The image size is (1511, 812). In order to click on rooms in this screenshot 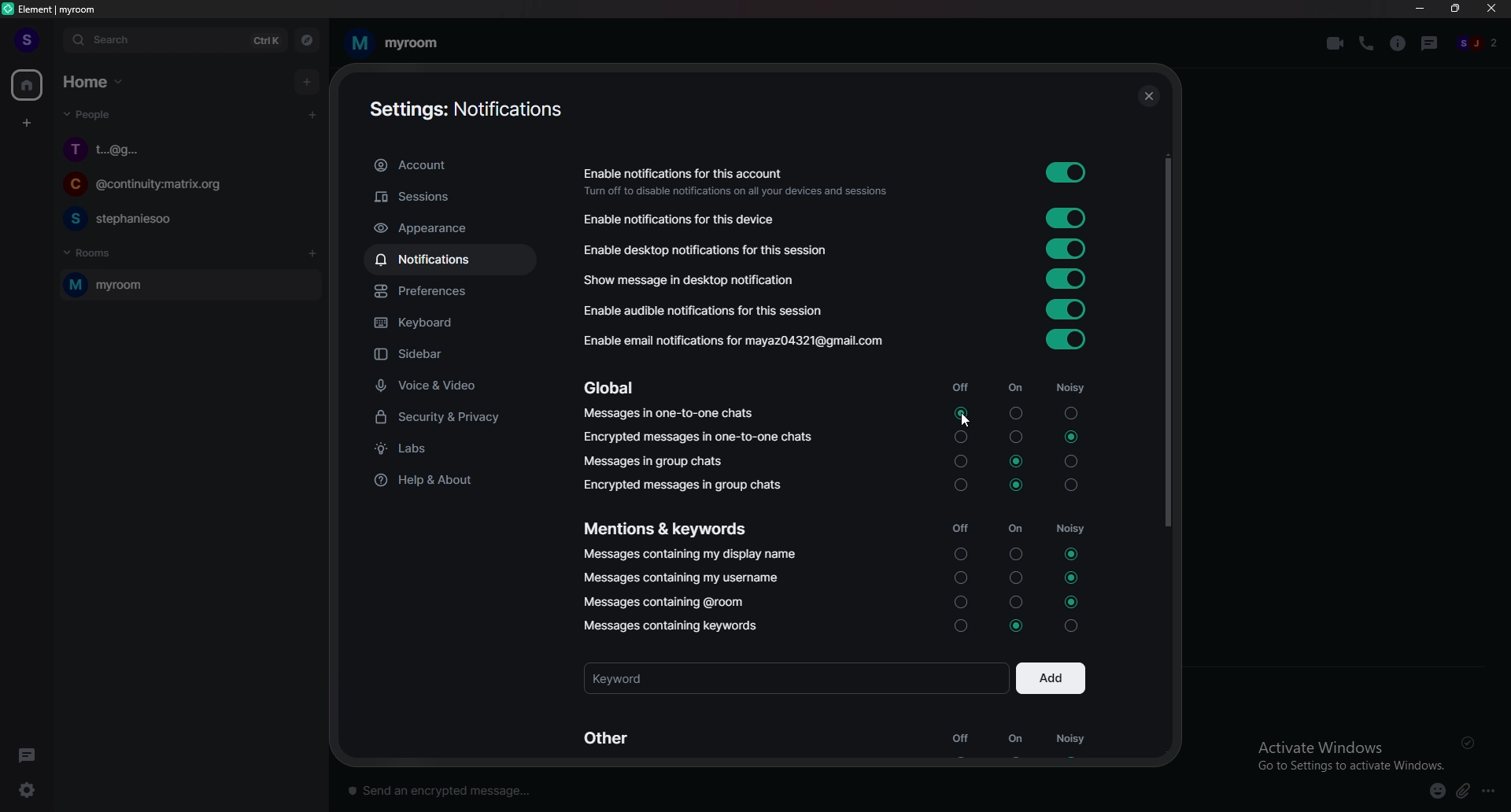, I will do `click(105, 254)`.